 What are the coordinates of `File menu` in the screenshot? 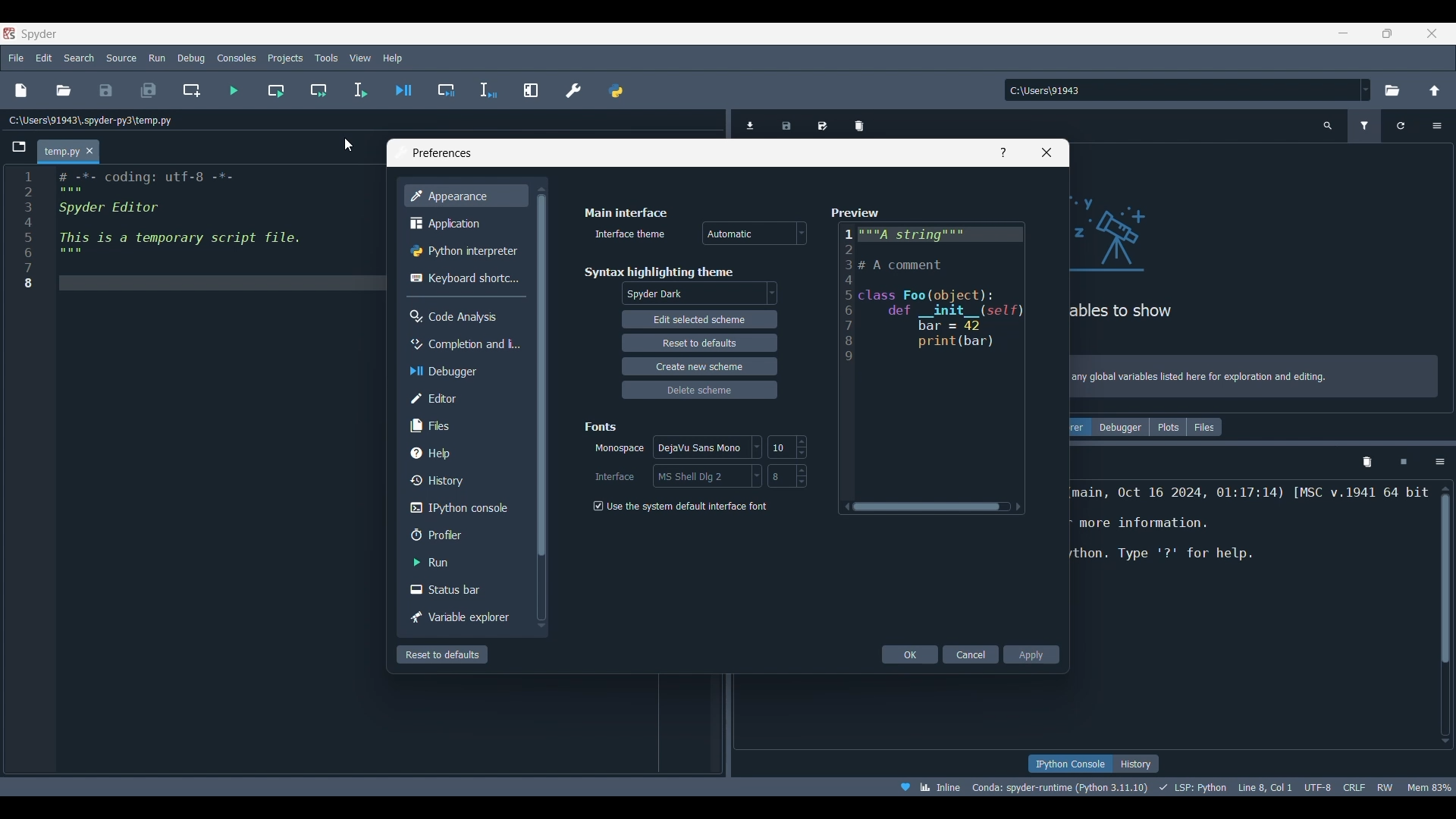 It's located at (16, 58).